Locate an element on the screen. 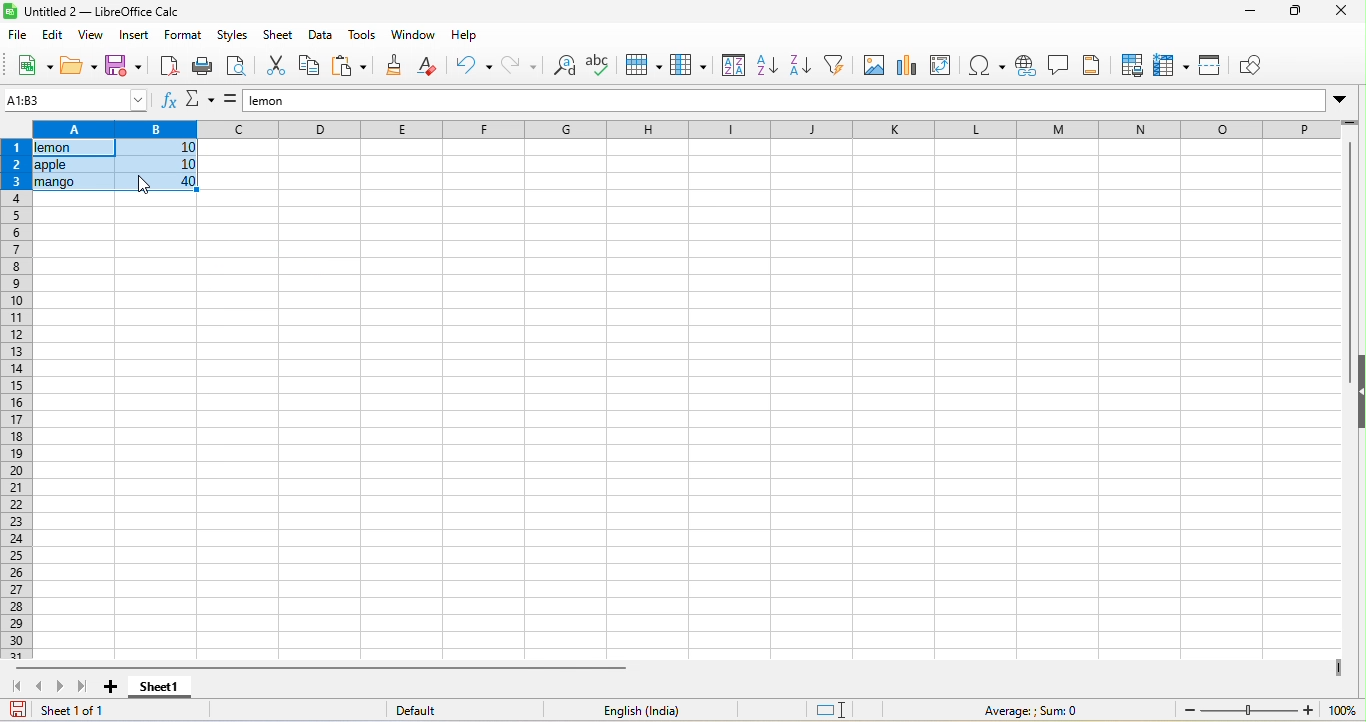 This screenshot has height=722, width=1366. print is located at coordinates (203, 67).